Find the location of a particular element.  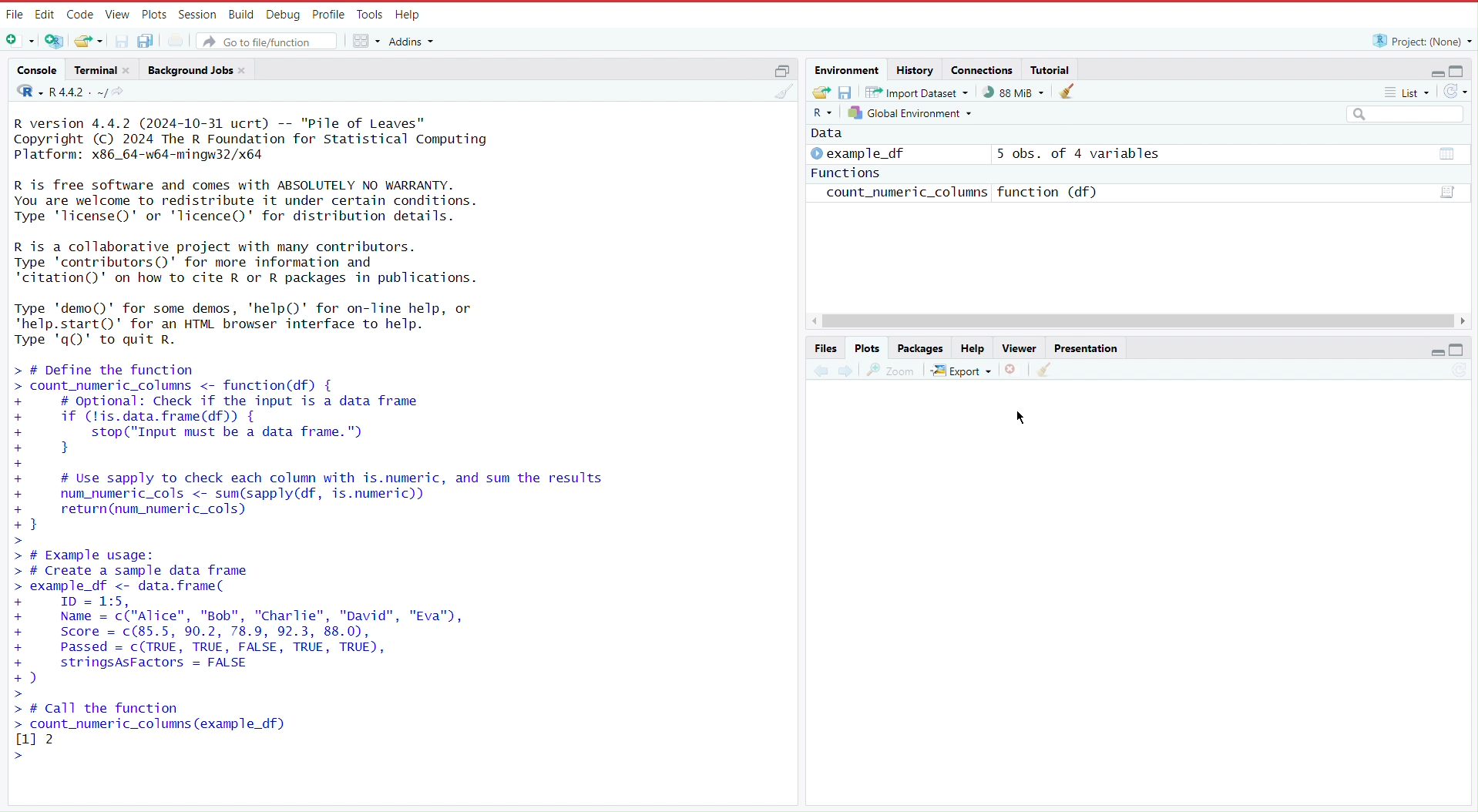

Background Jobs is located at coordinates (198, 69).